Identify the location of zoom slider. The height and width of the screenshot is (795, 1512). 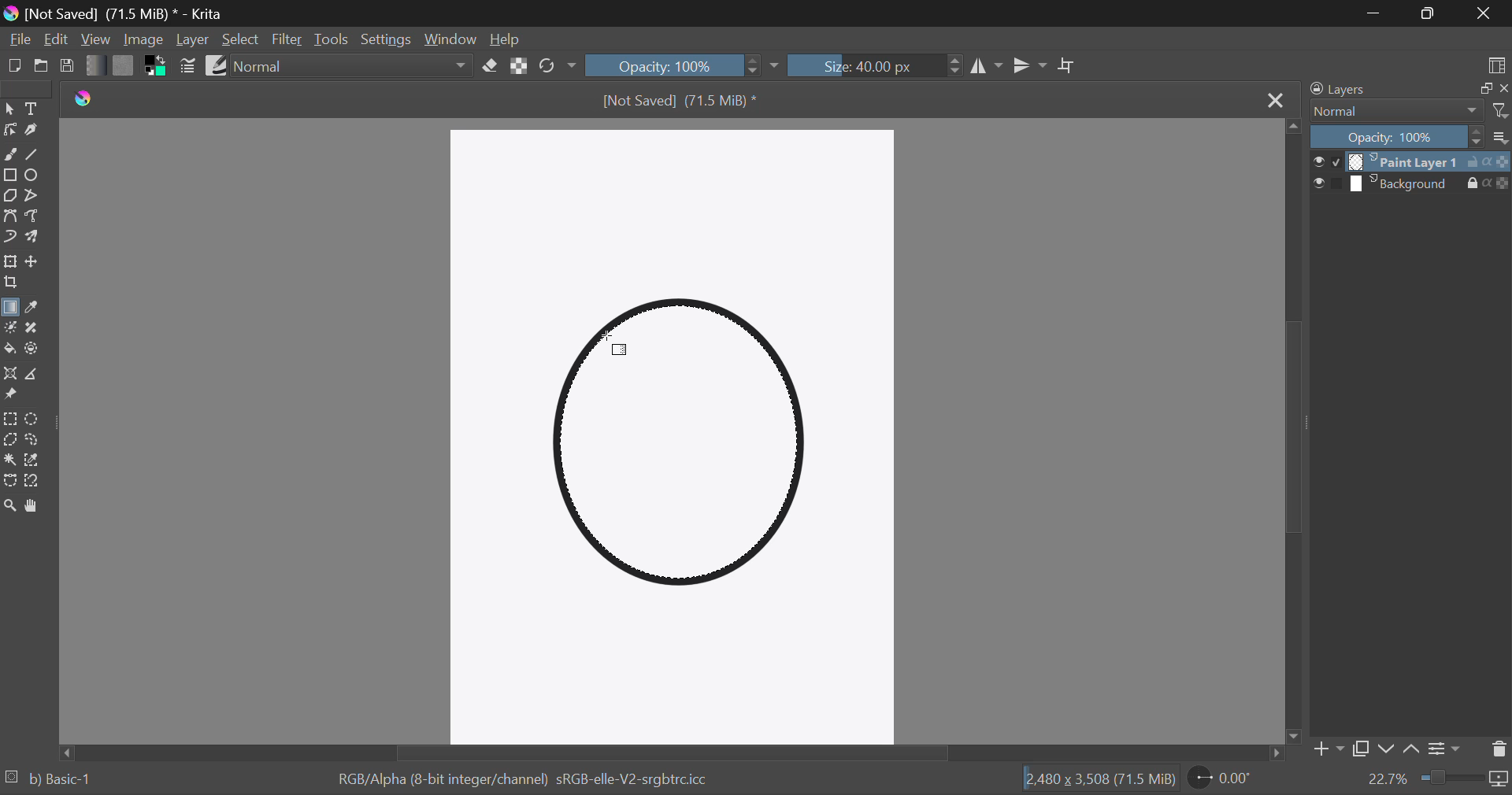
(1453, 776).